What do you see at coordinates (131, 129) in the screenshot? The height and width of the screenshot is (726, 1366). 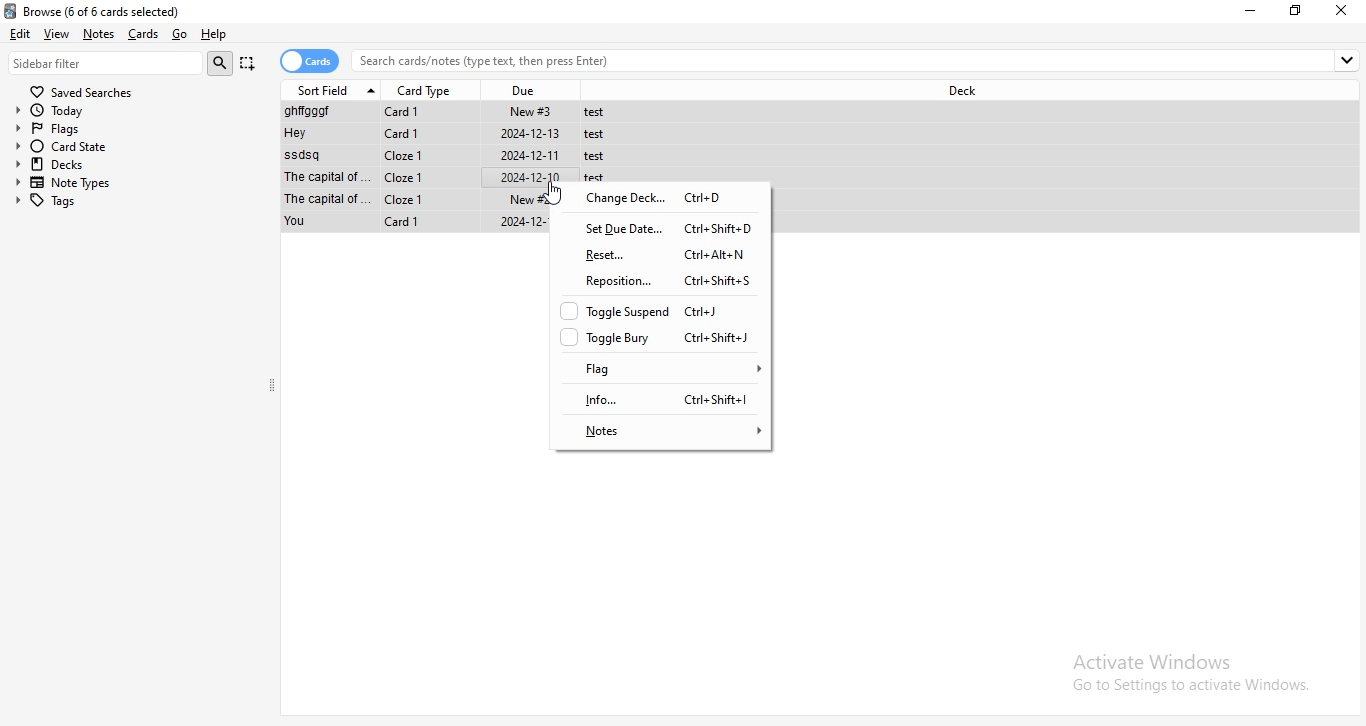 I see `flags` at bounding box center [131, 129].